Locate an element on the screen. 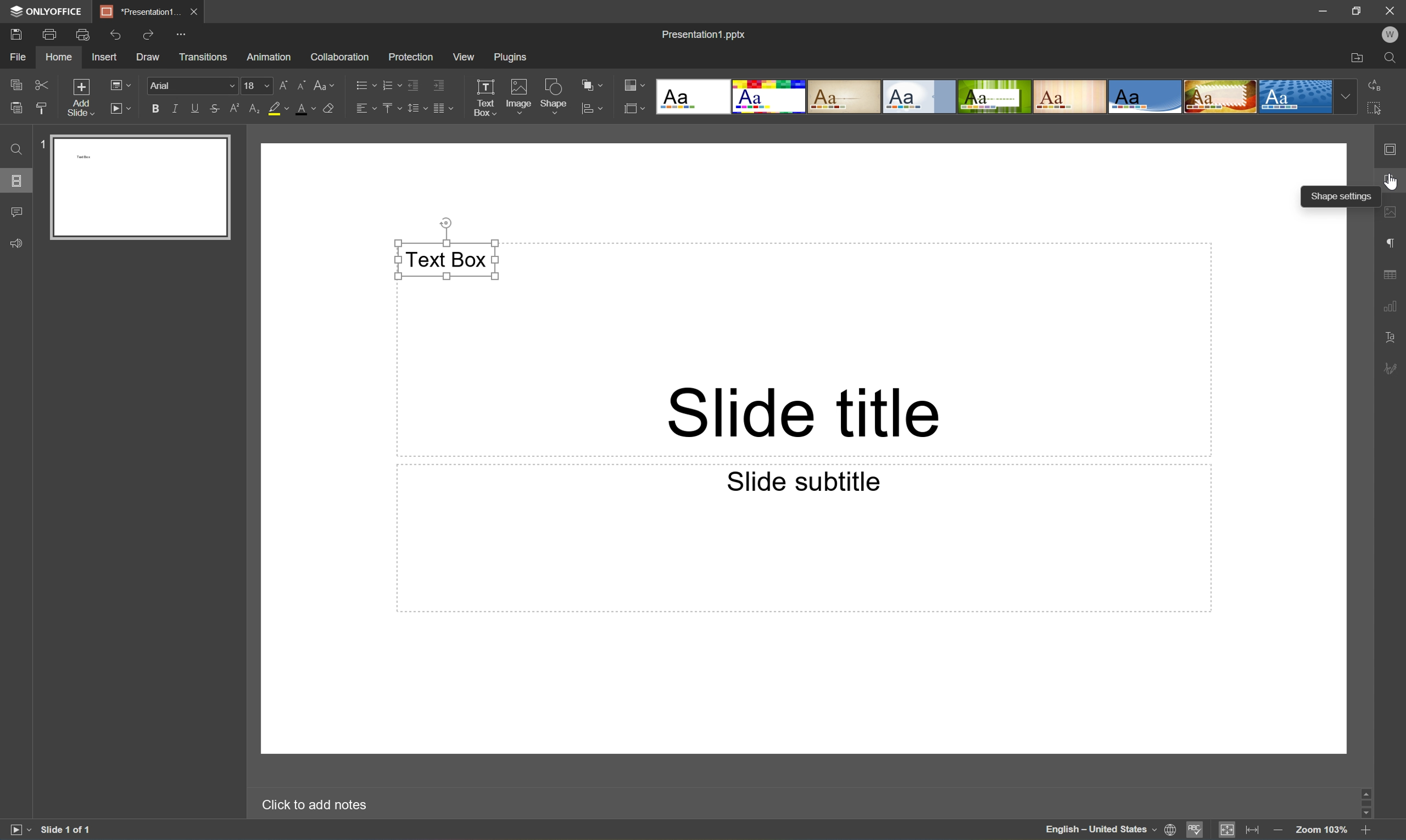 This screenshot has height=840, width=1406. Bullets is located at coordinates (360, 85).